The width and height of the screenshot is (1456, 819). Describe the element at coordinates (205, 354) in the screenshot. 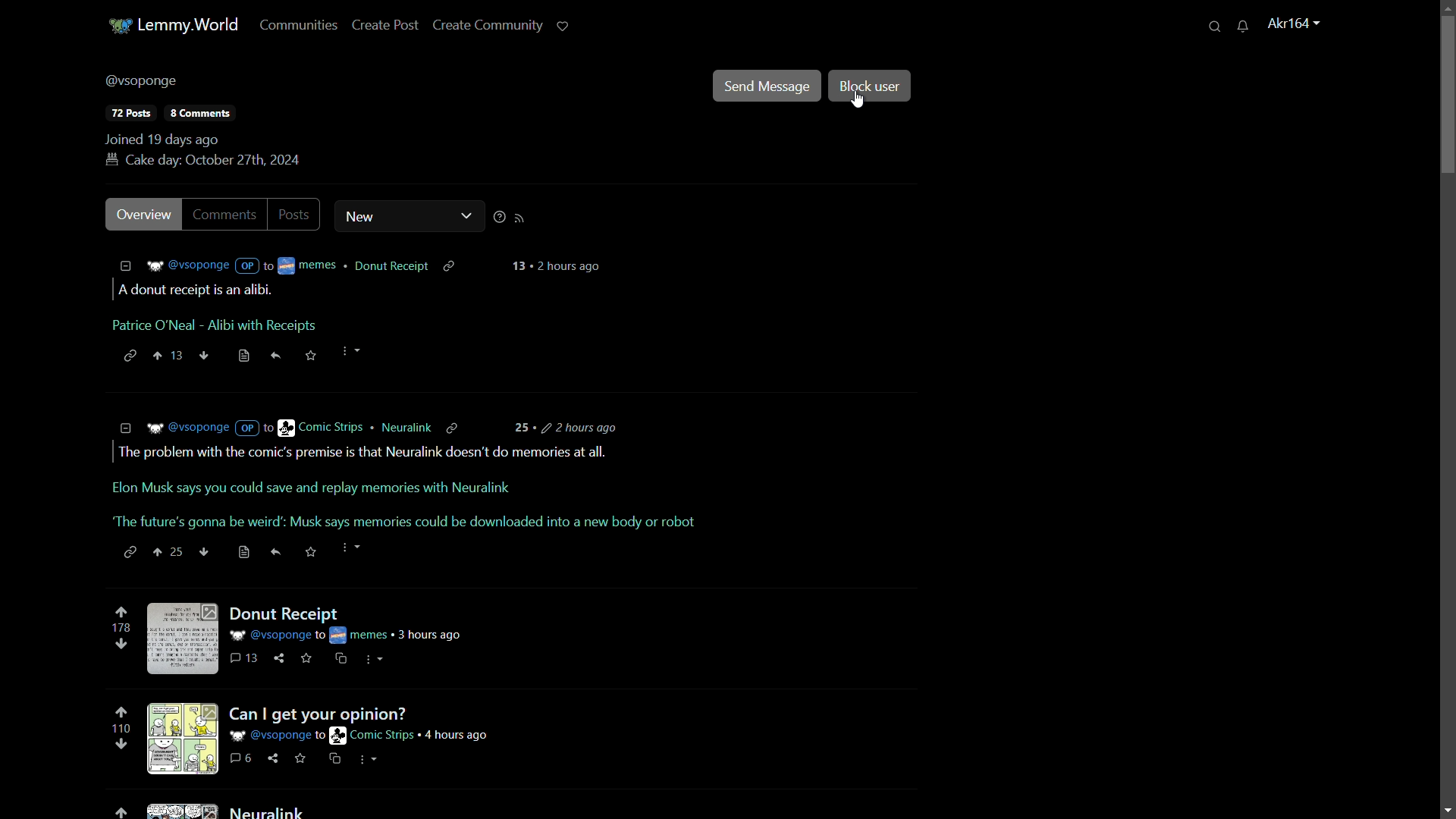

I see `down` at that location.